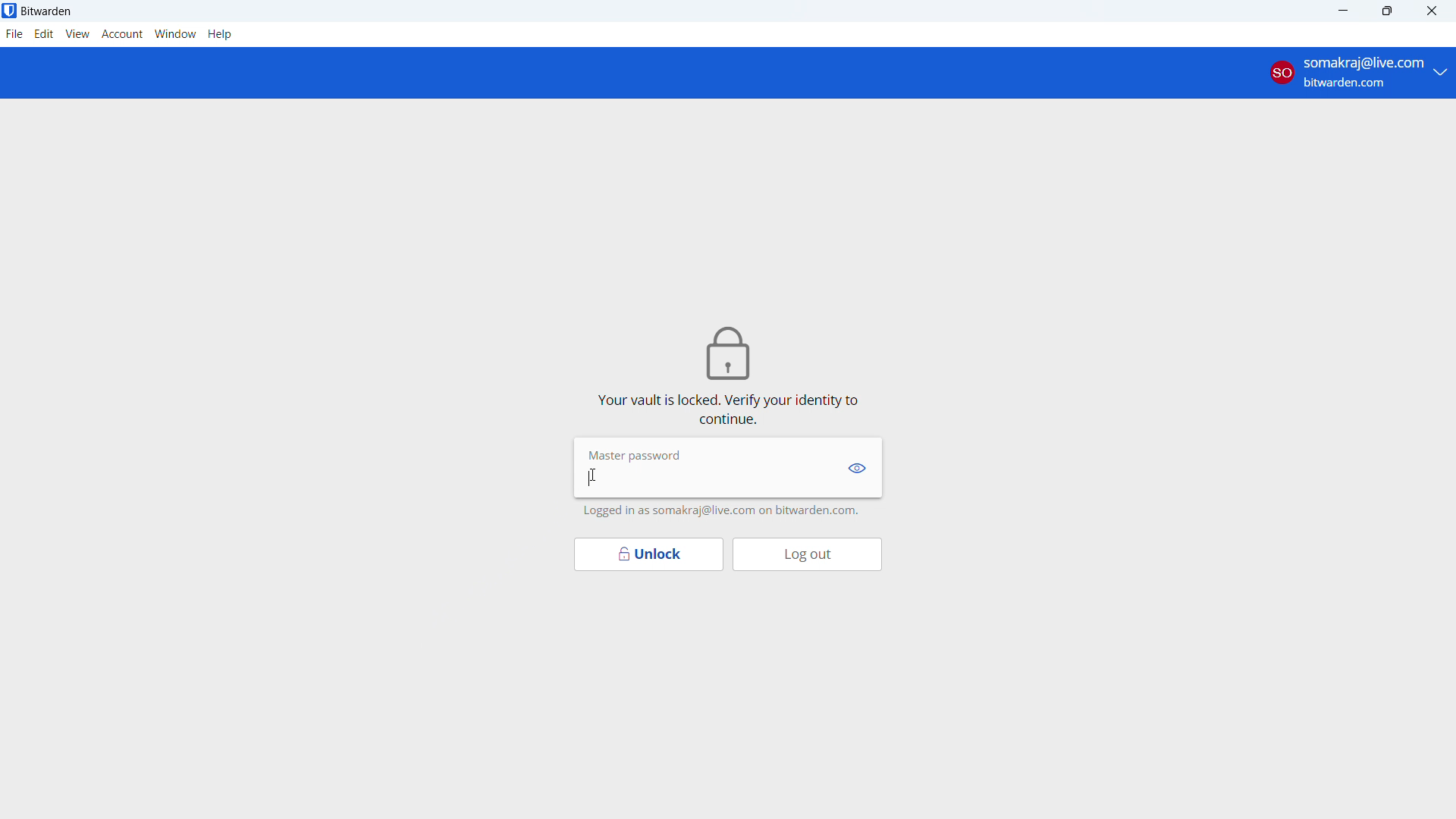 This screenshot has width=1456, height=819. I want to click on account, so click(1359, 72).